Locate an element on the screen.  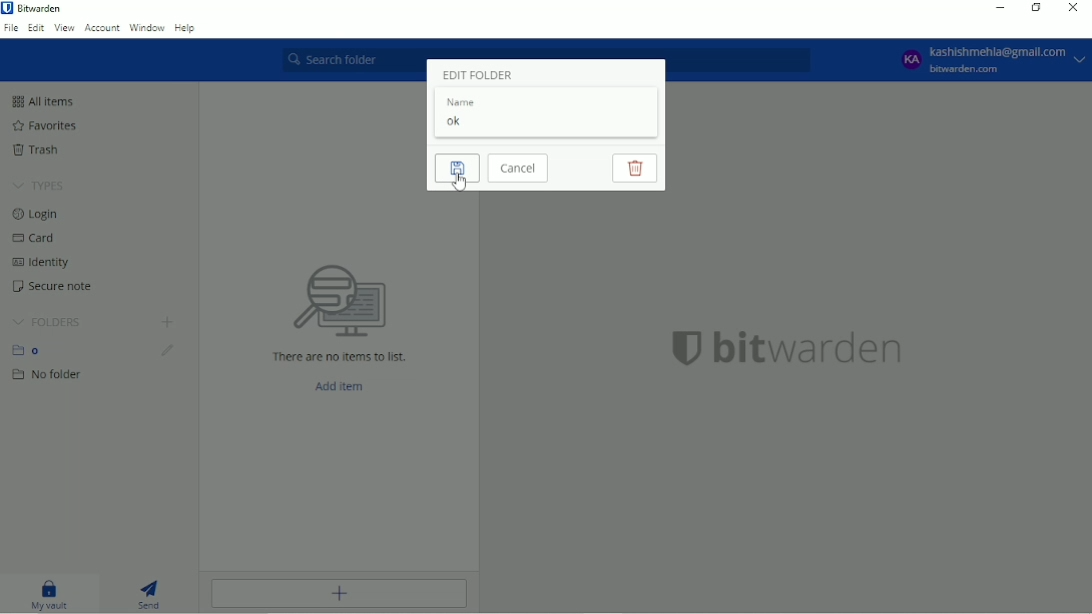
My vault is located at coordinates (51, 596).